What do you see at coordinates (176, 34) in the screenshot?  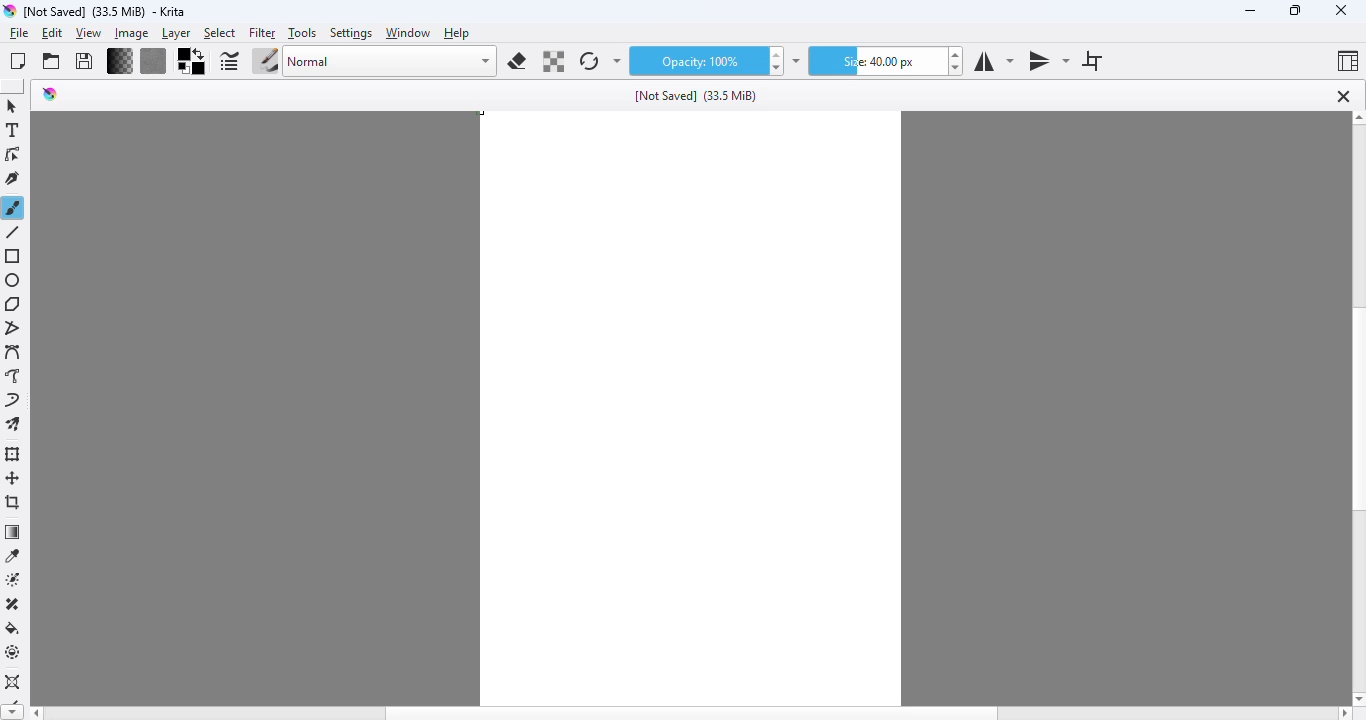 I see `layer` at bounding box center [176, 34].